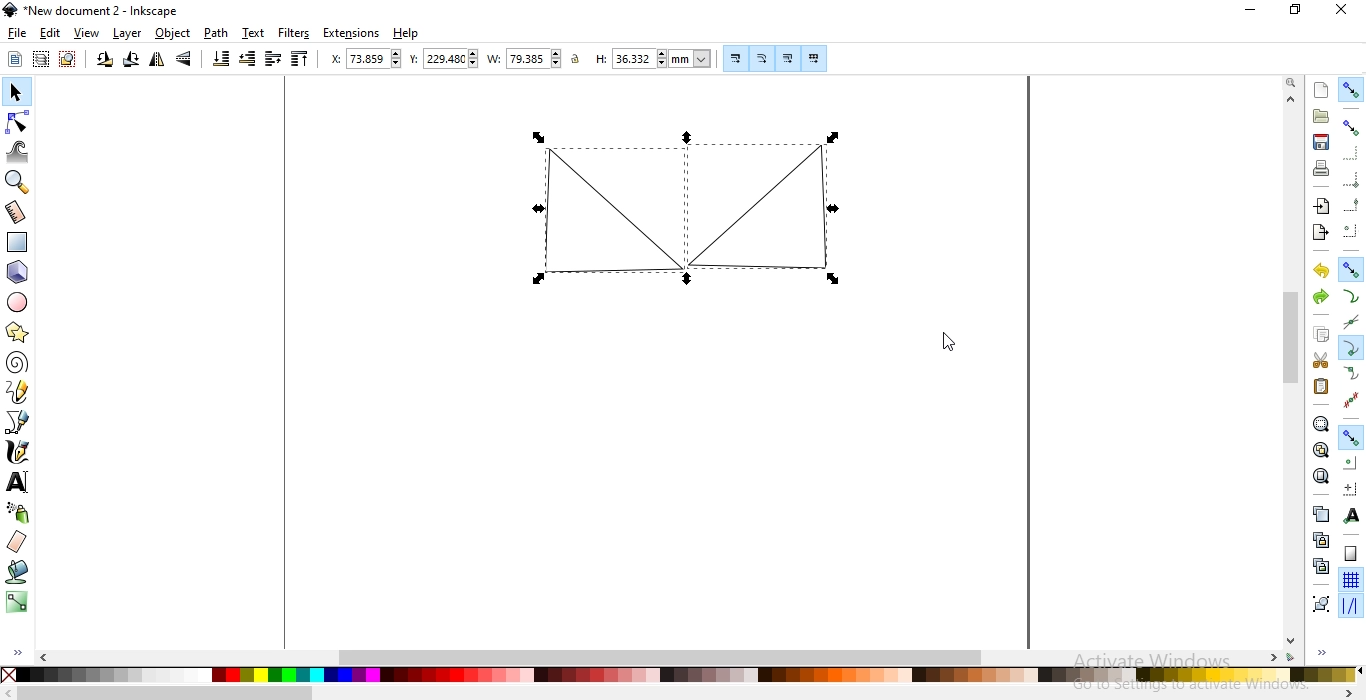 The height and width of the screenshot is (700, 1366). What do you see at coordinates (18, 454) in the screenshot?
I see `draw calligraphic or brush strokes` at bounding box center [18, 454].